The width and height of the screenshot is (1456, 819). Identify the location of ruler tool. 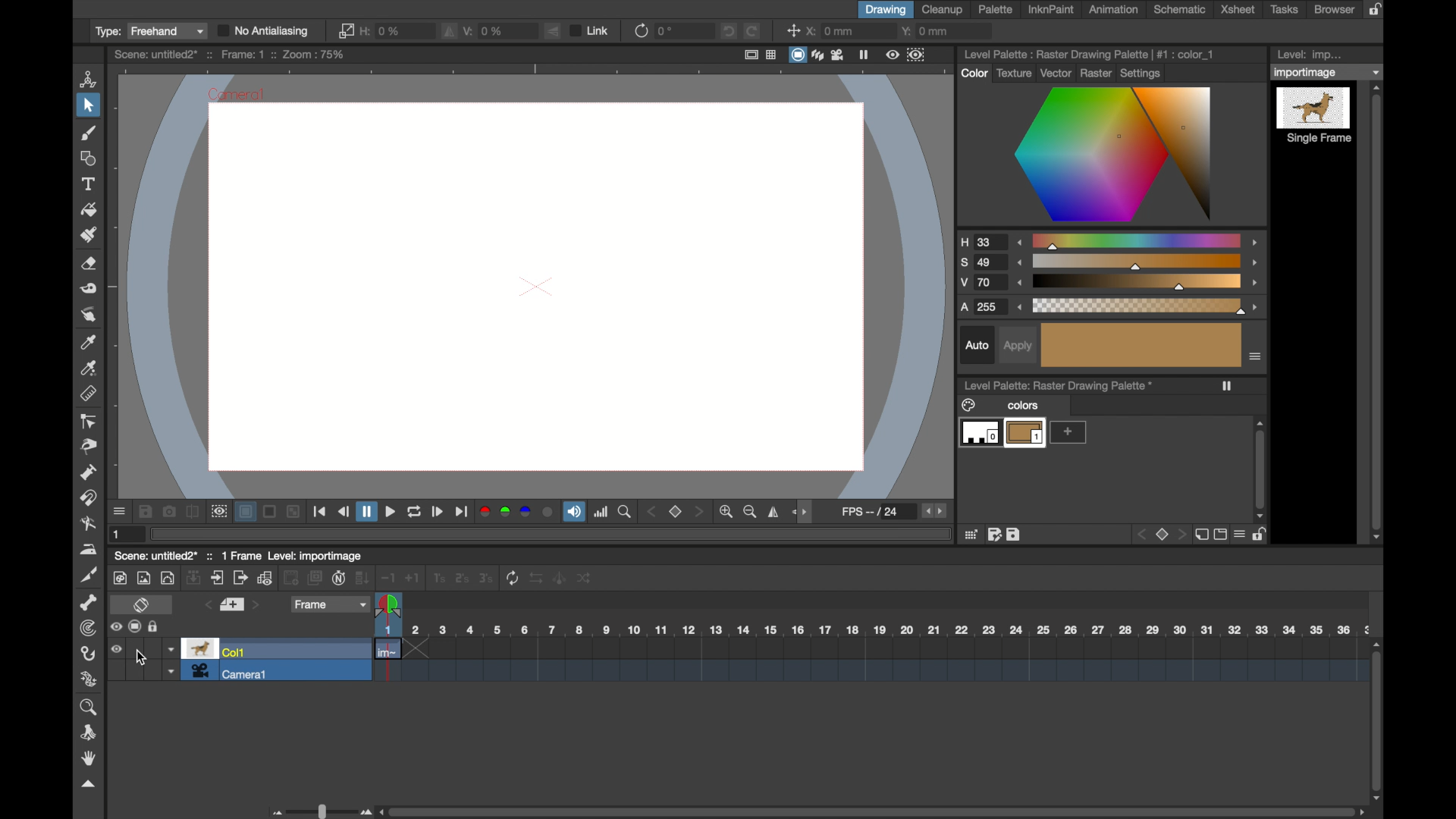
(87, 394).